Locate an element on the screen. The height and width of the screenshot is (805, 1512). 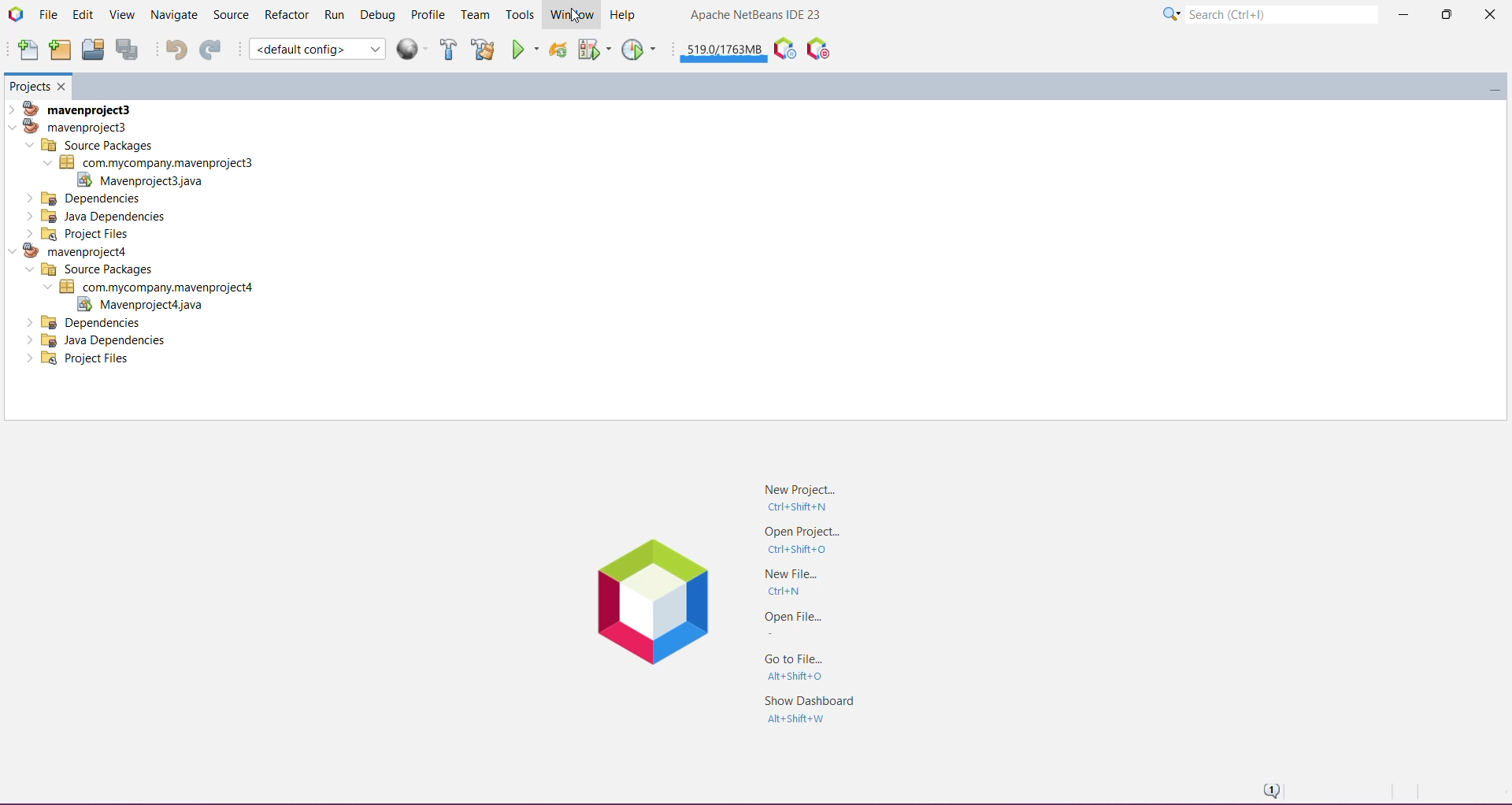
Java Dependencies is located at coordinates (98, 216).